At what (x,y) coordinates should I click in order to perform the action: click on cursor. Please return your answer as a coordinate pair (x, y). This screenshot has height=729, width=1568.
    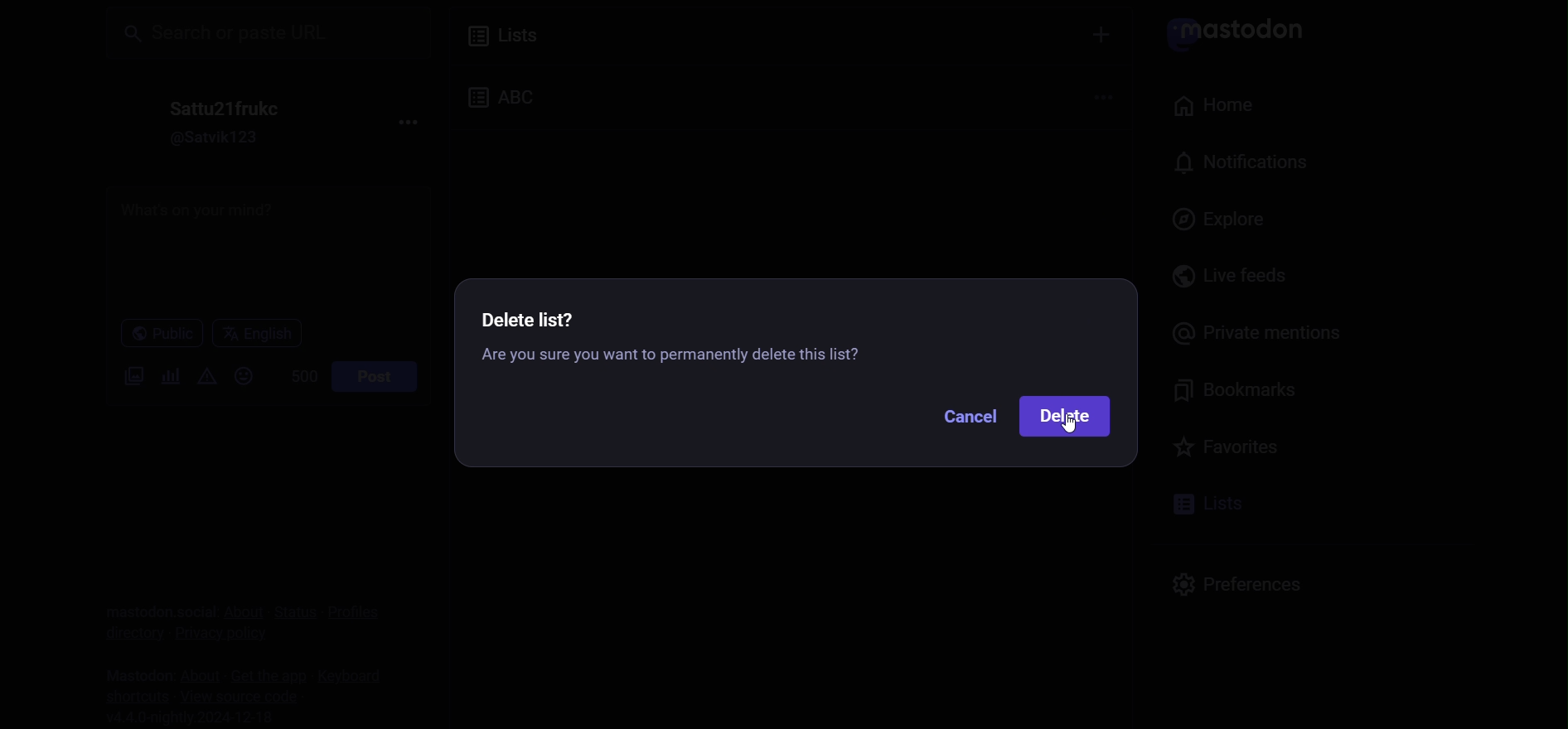
    Looking at the image, I should click on (1079, 434).